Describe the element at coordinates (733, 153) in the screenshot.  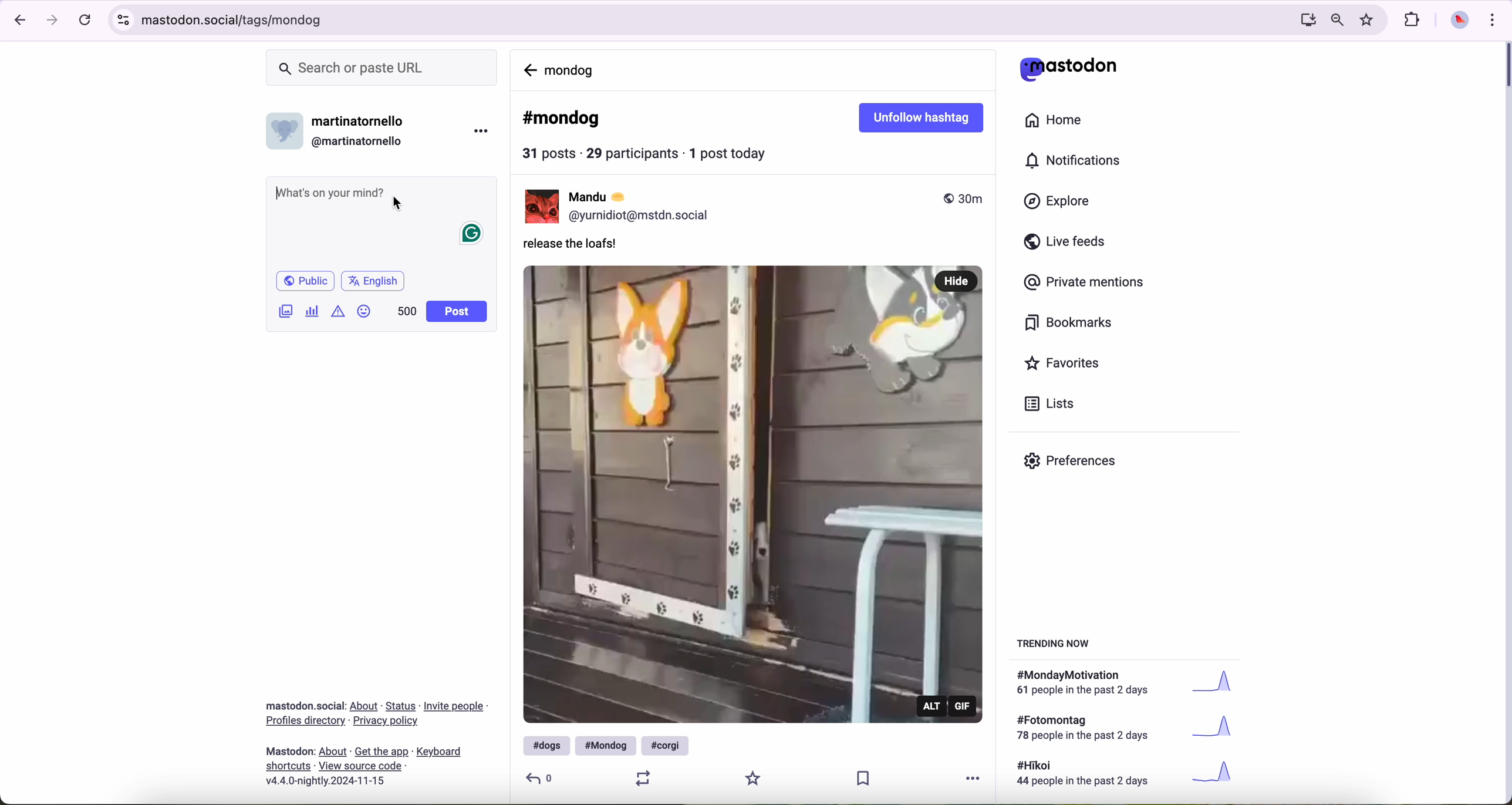
I see `1 post today` at that location.